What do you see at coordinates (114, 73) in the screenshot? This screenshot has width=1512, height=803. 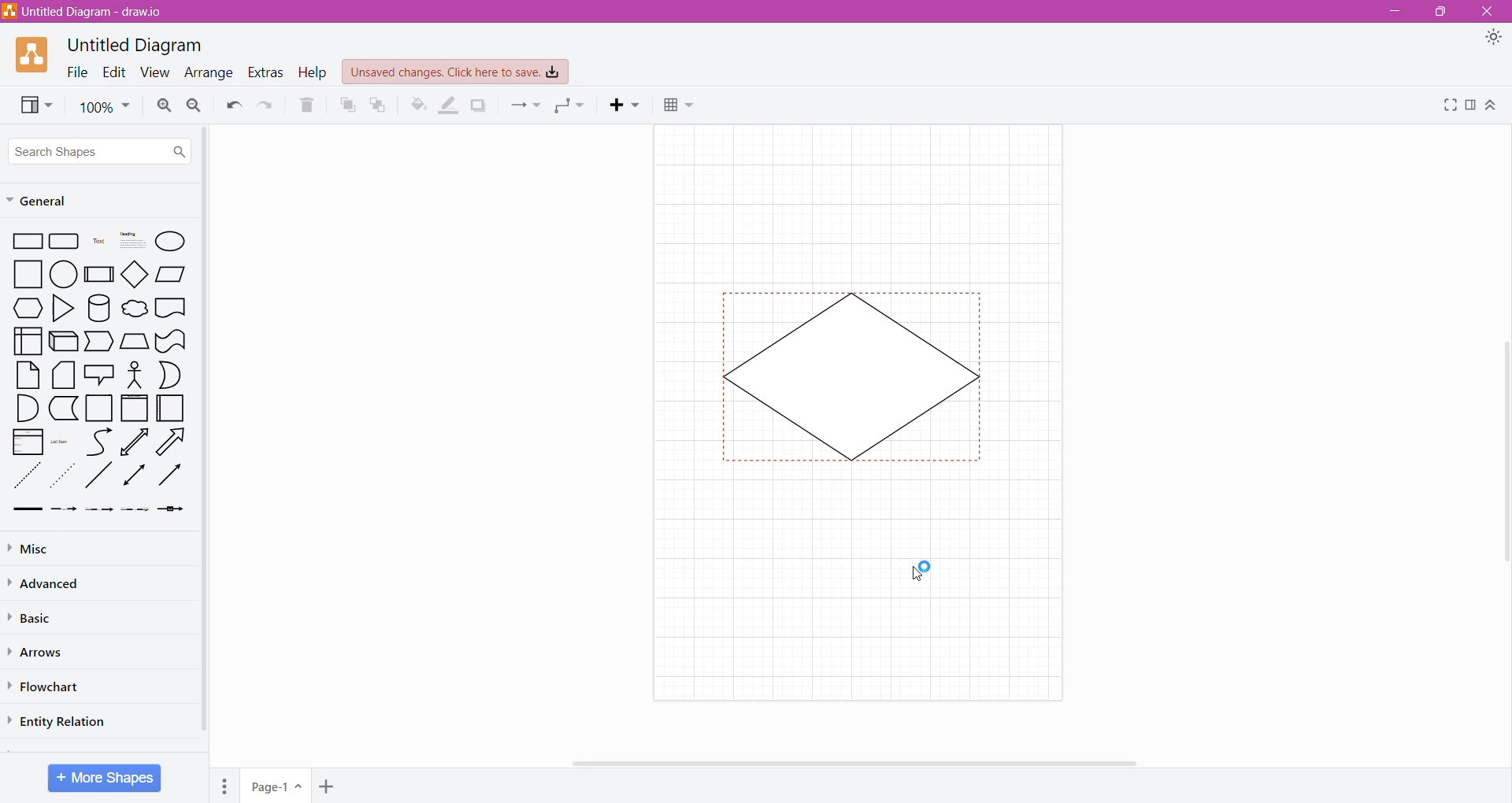 I see `Edit` at bounding box center [114, 73].